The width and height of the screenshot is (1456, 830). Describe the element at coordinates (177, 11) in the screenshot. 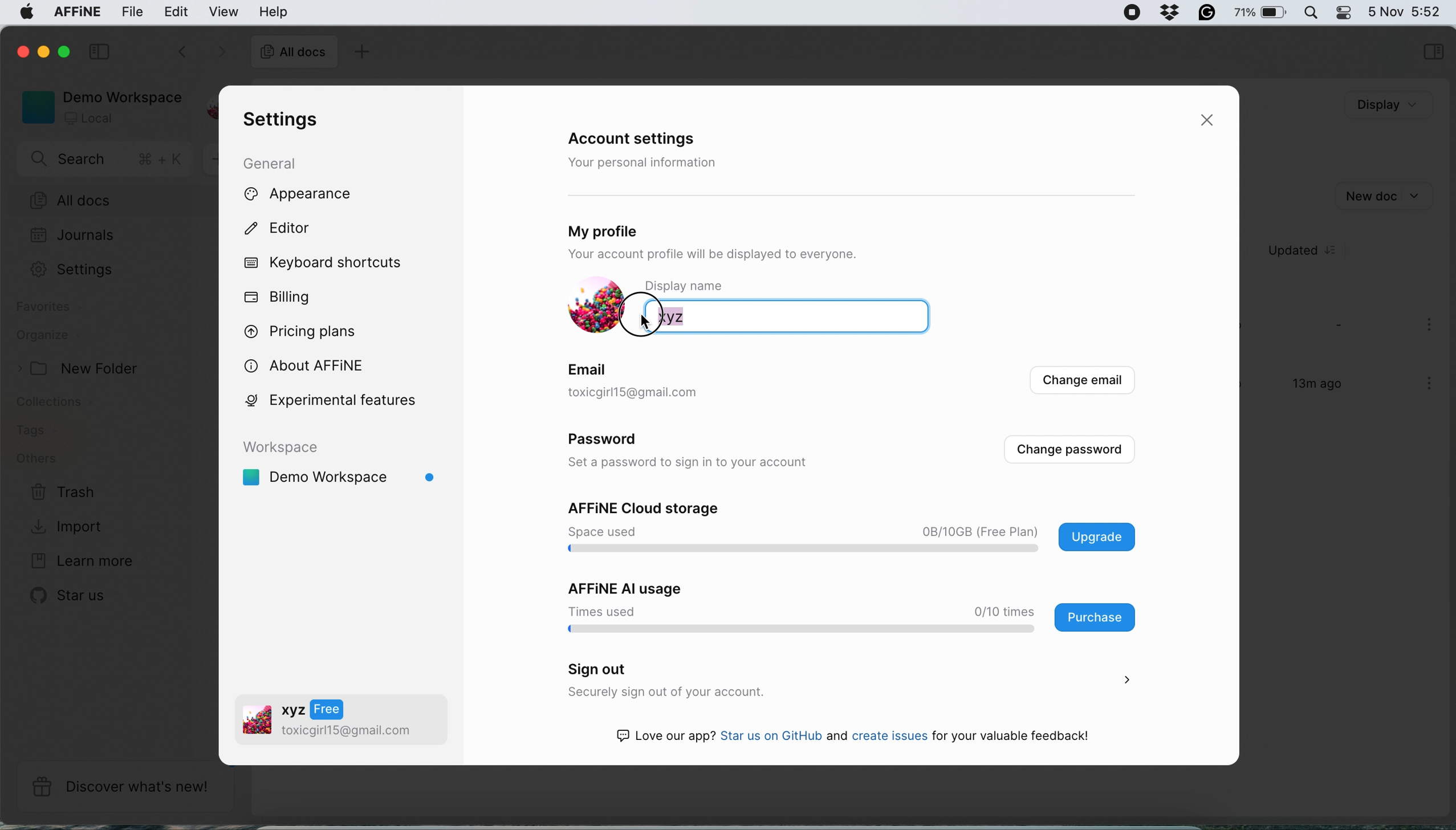

I see `edit` at that location.